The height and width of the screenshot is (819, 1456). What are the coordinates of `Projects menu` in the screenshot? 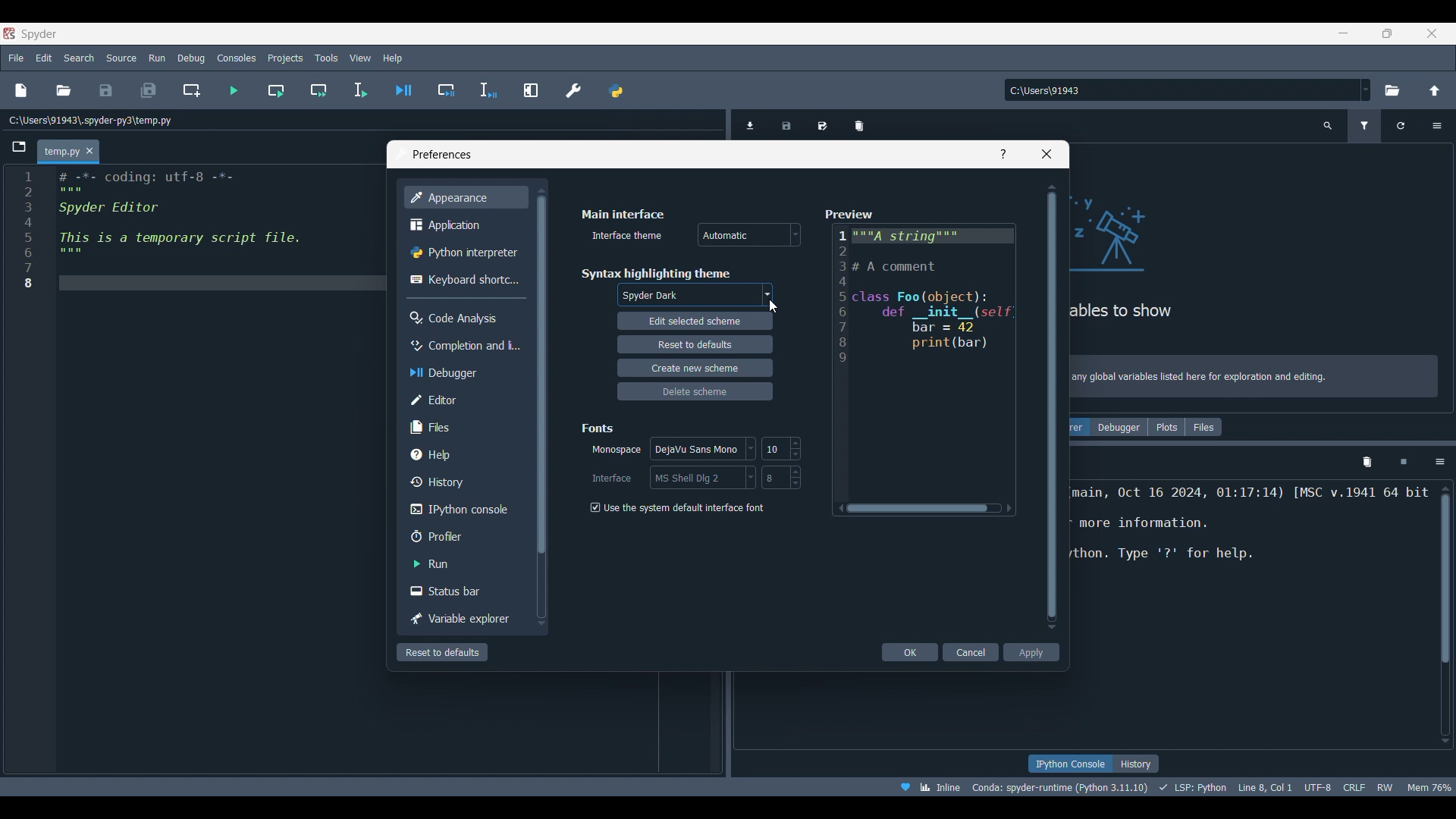 It's located at (286, 58).